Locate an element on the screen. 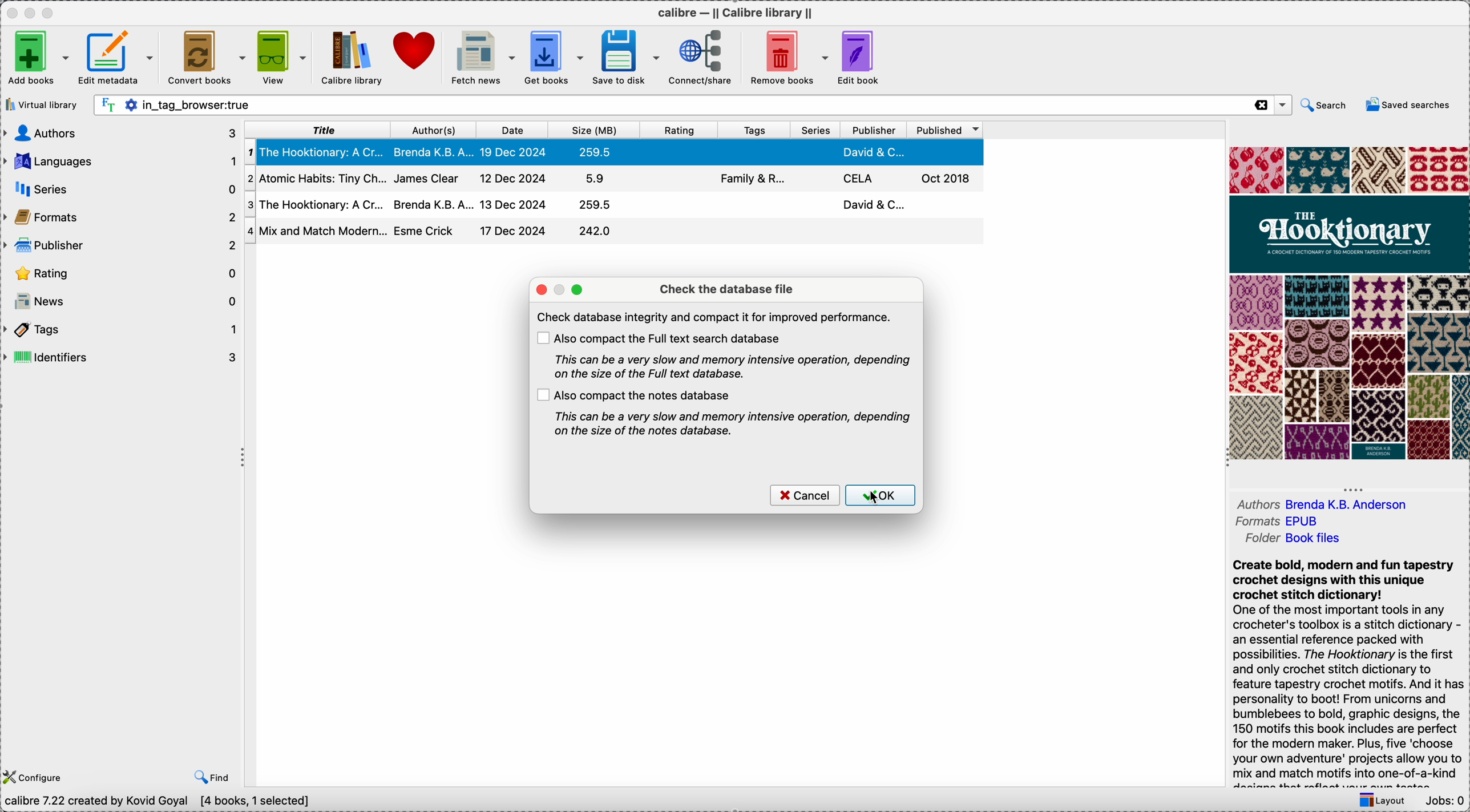 The image size is (1470, 812). connect/share is located at coordinates (701, 58).